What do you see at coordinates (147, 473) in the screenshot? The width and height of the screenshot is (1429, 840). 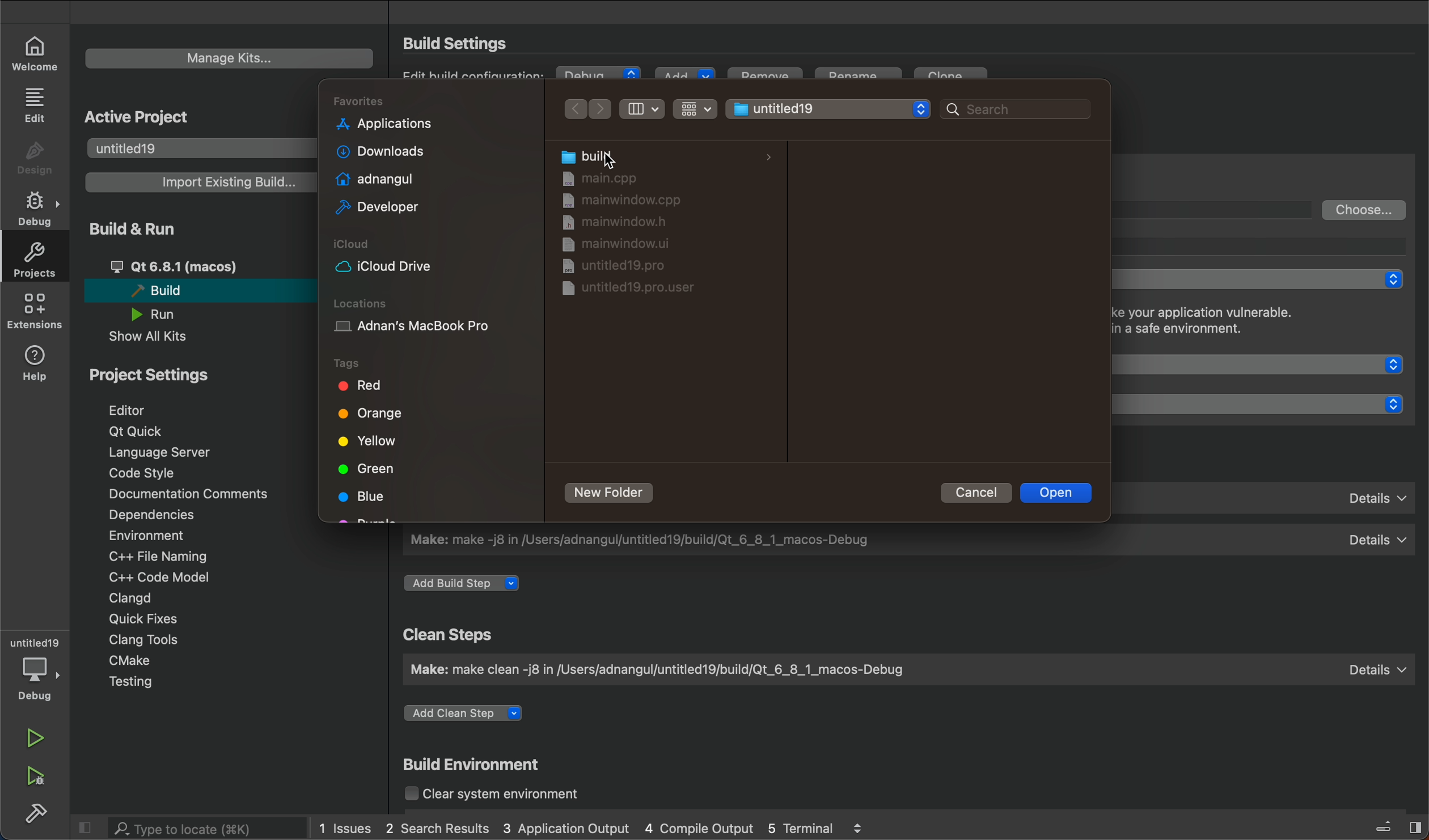 I see `code style` at bounding box center [147, 473].